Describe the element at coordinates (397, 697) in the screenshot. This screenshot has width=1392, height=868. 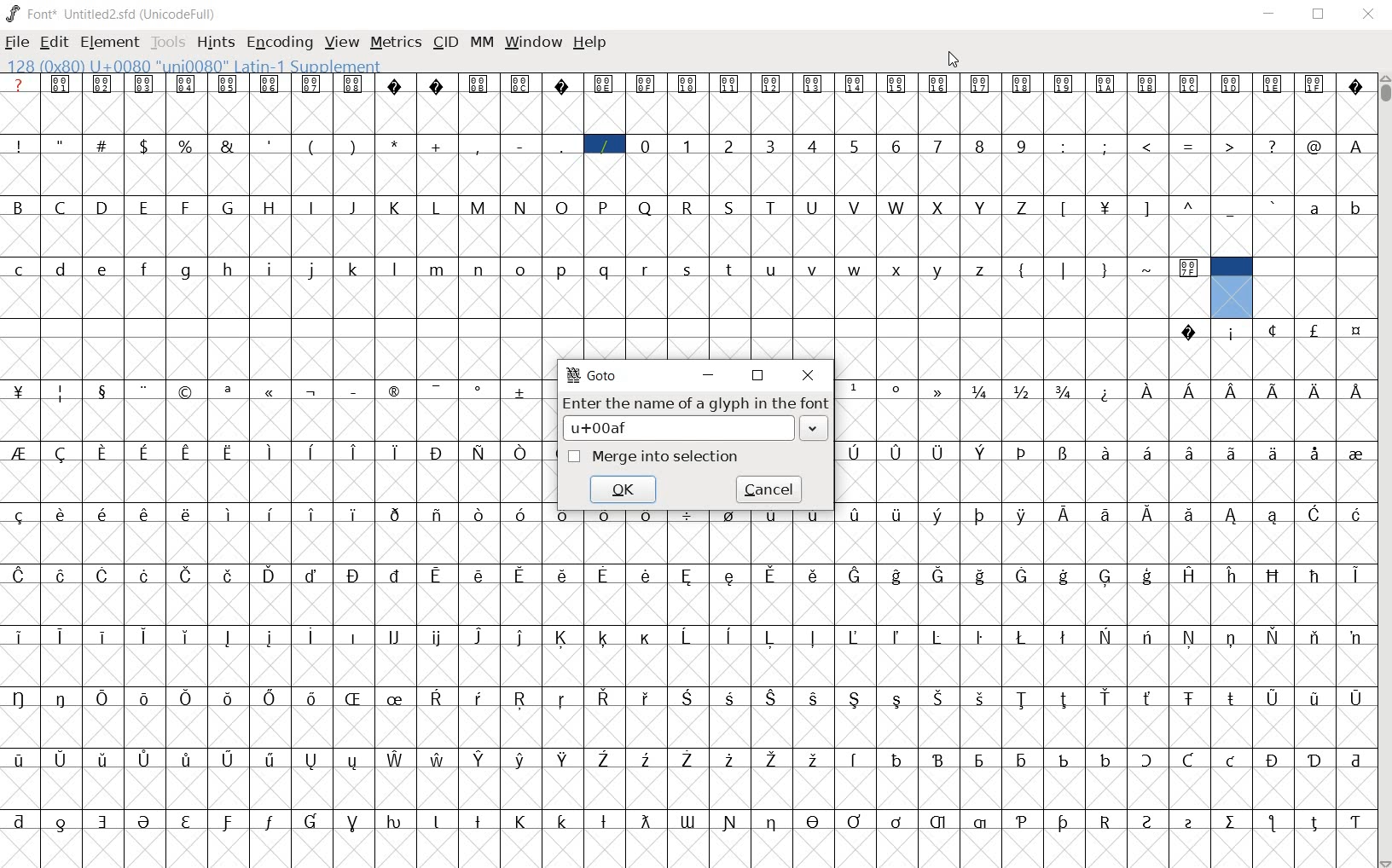
I see `Symbol` at that location.